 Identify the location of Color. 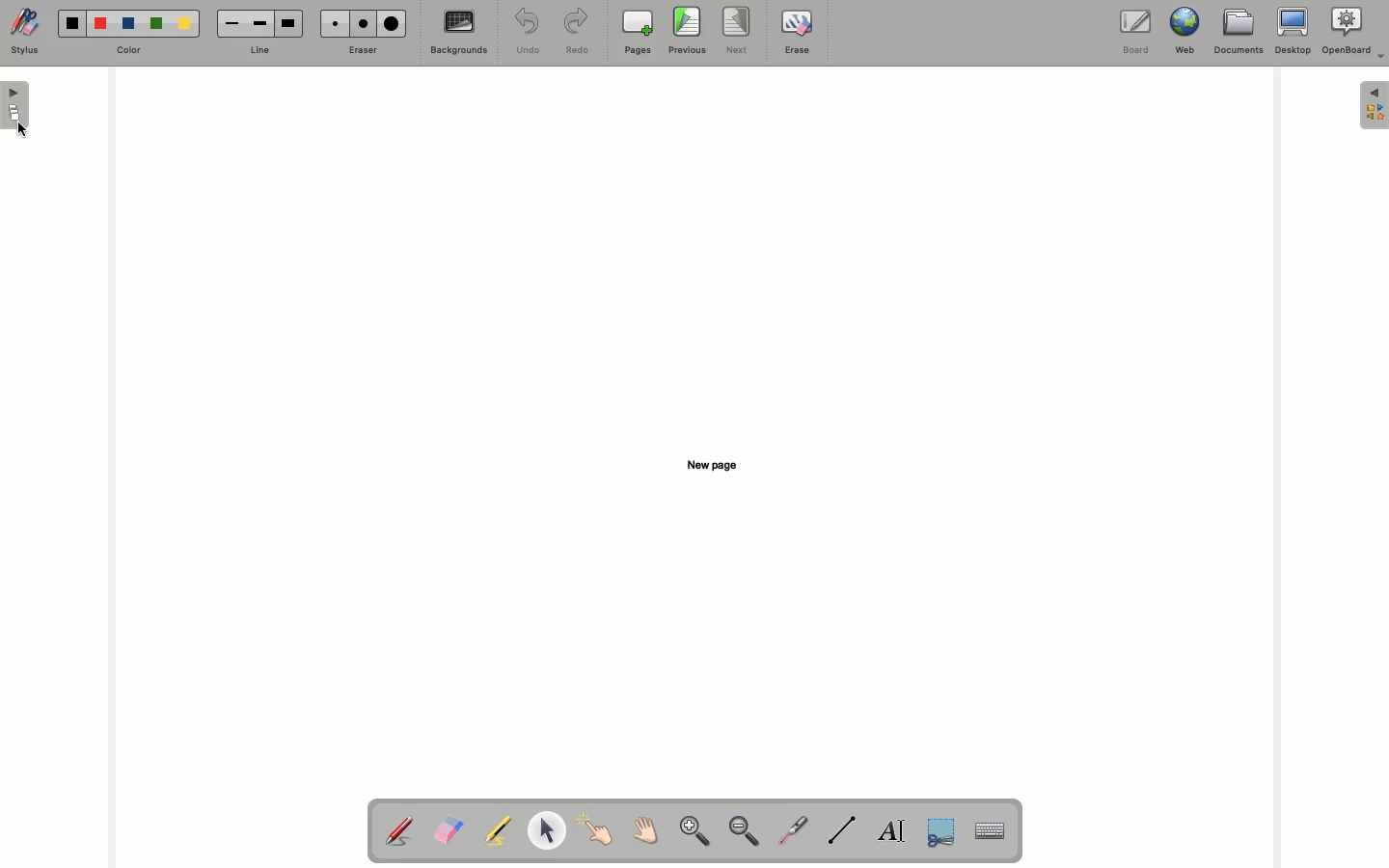
(128, 51).